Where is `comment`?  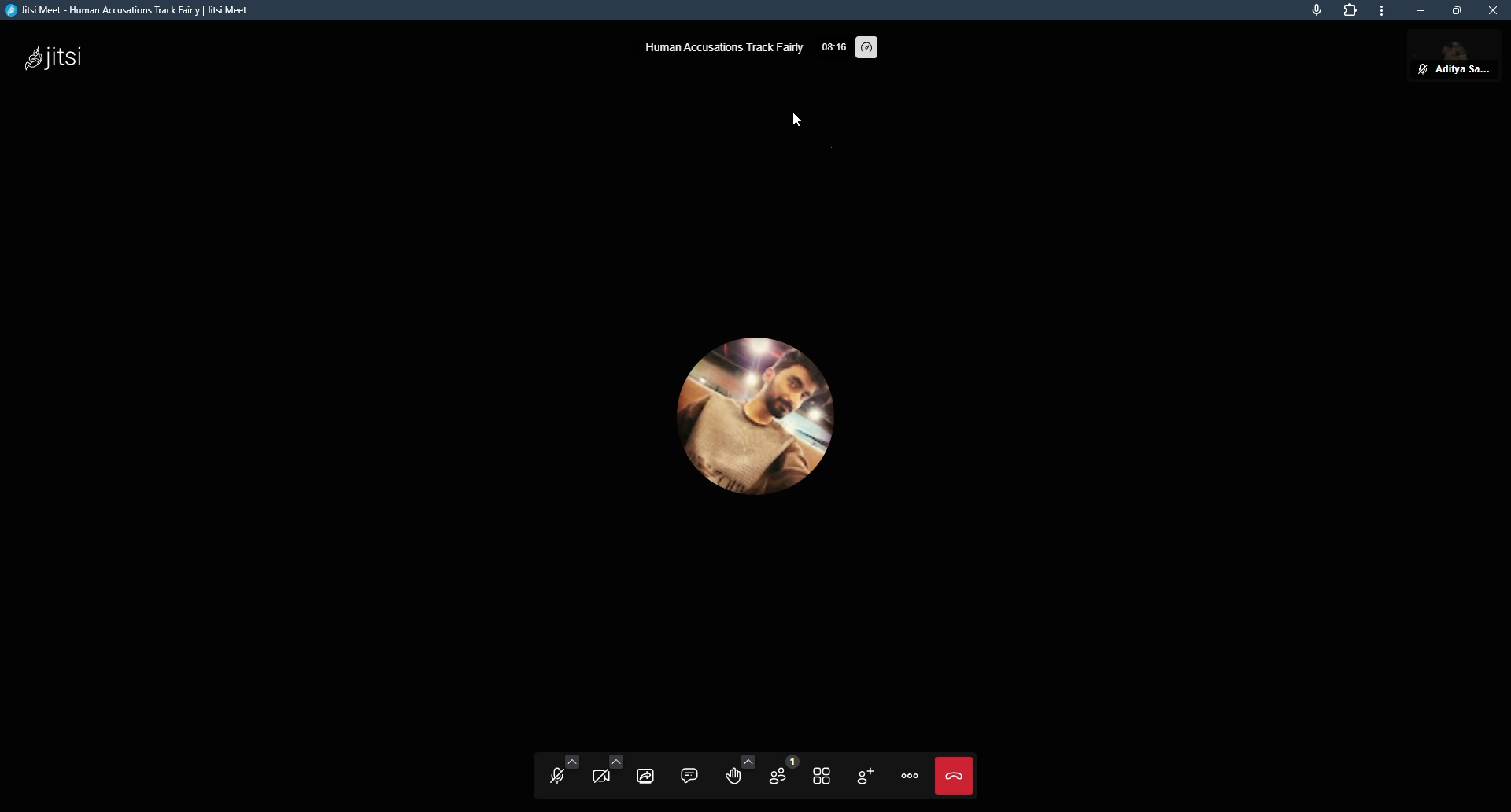 comment is located at coordinates (693, 776).